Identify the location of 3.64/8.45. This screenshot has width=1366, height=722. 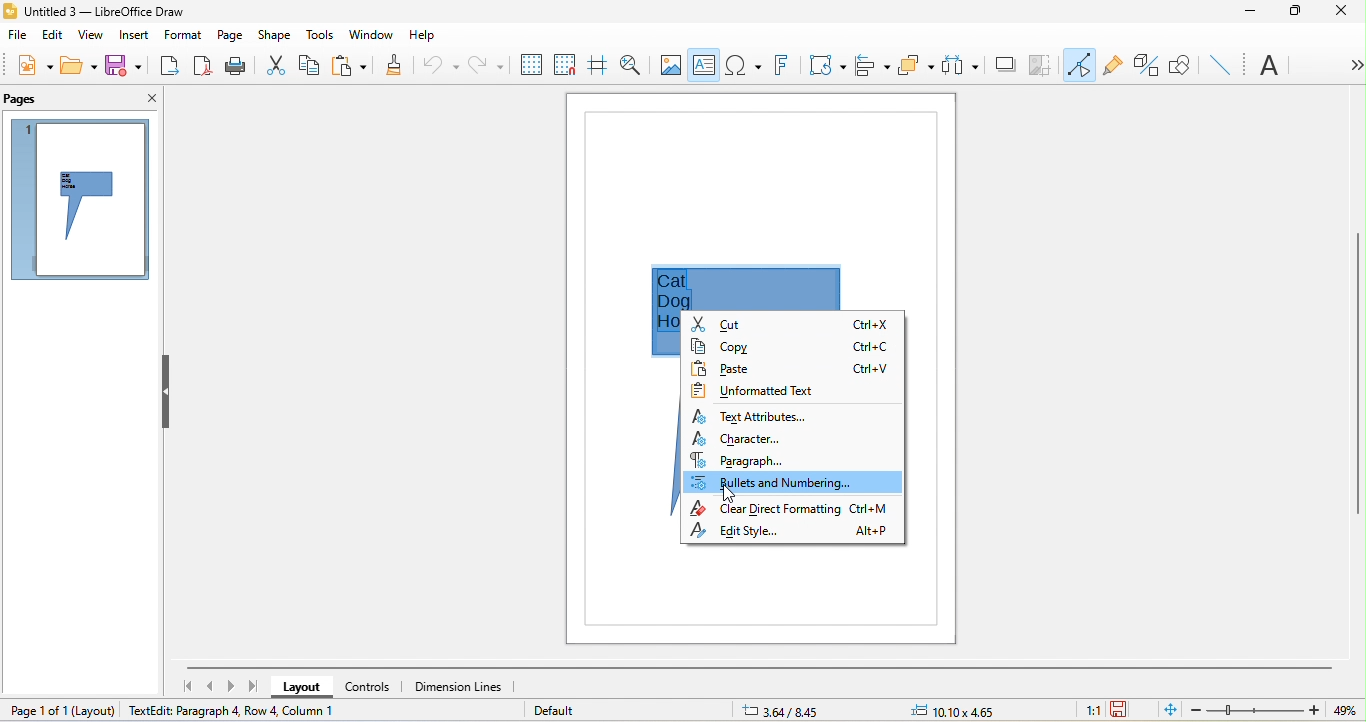
(789, 710).